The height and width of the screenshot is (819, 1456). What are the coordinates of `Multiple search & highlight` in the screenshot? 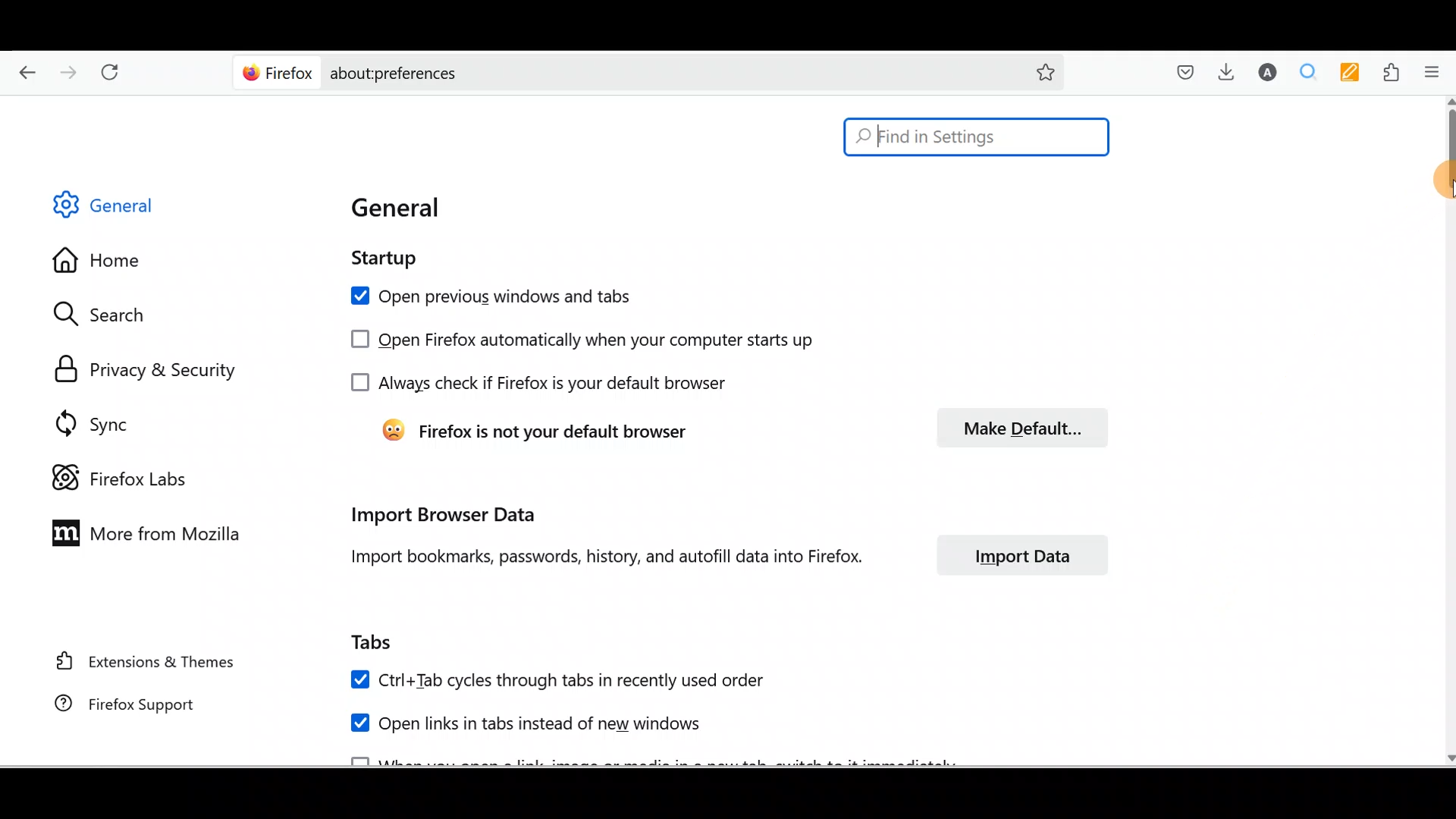 It's located at (1309, 71).